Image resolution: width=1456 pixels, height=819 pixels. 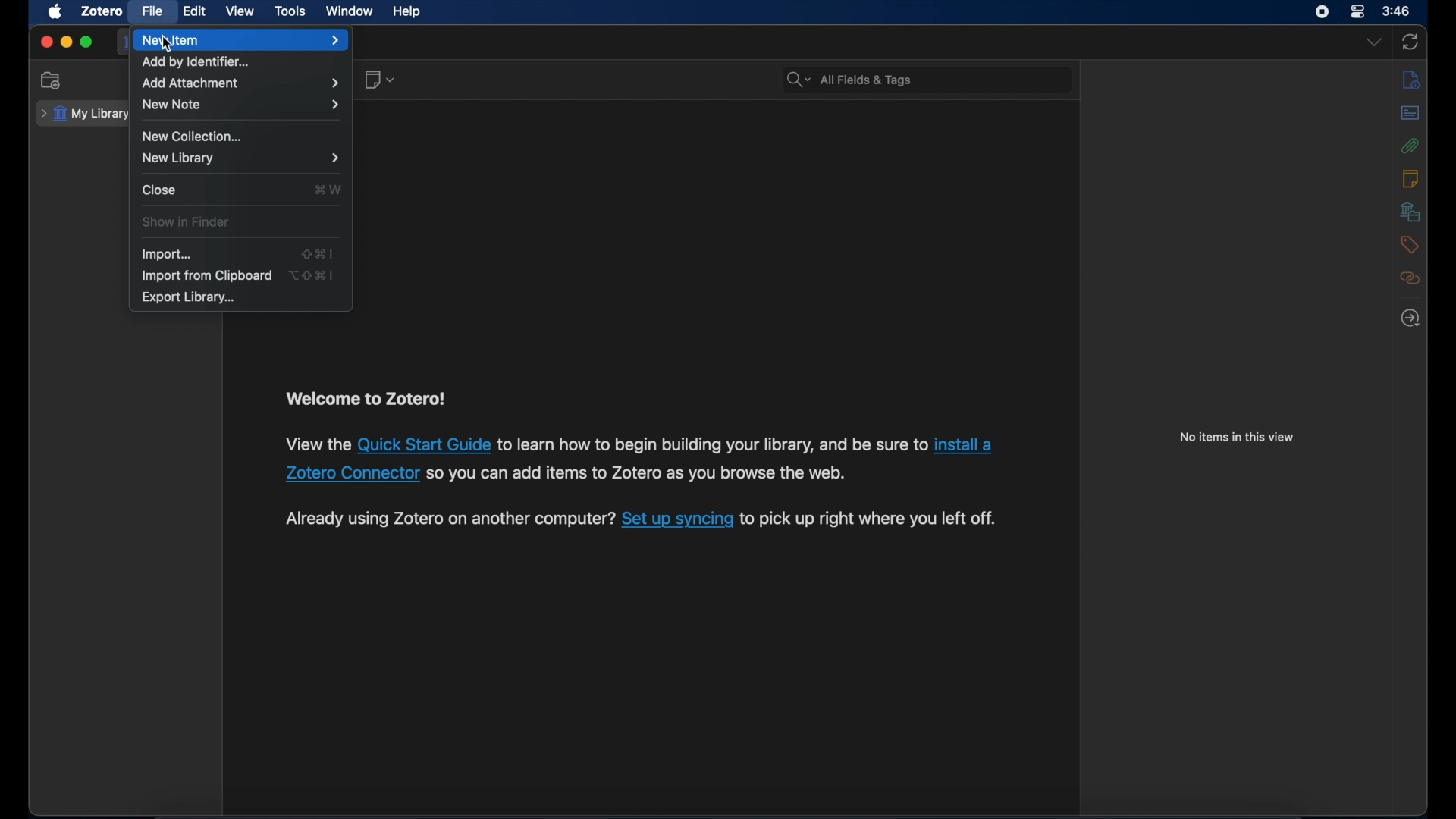 What do you see at coordinates (159, 190) in the screenshot?
I see `close` at bounding box center [159, 190].